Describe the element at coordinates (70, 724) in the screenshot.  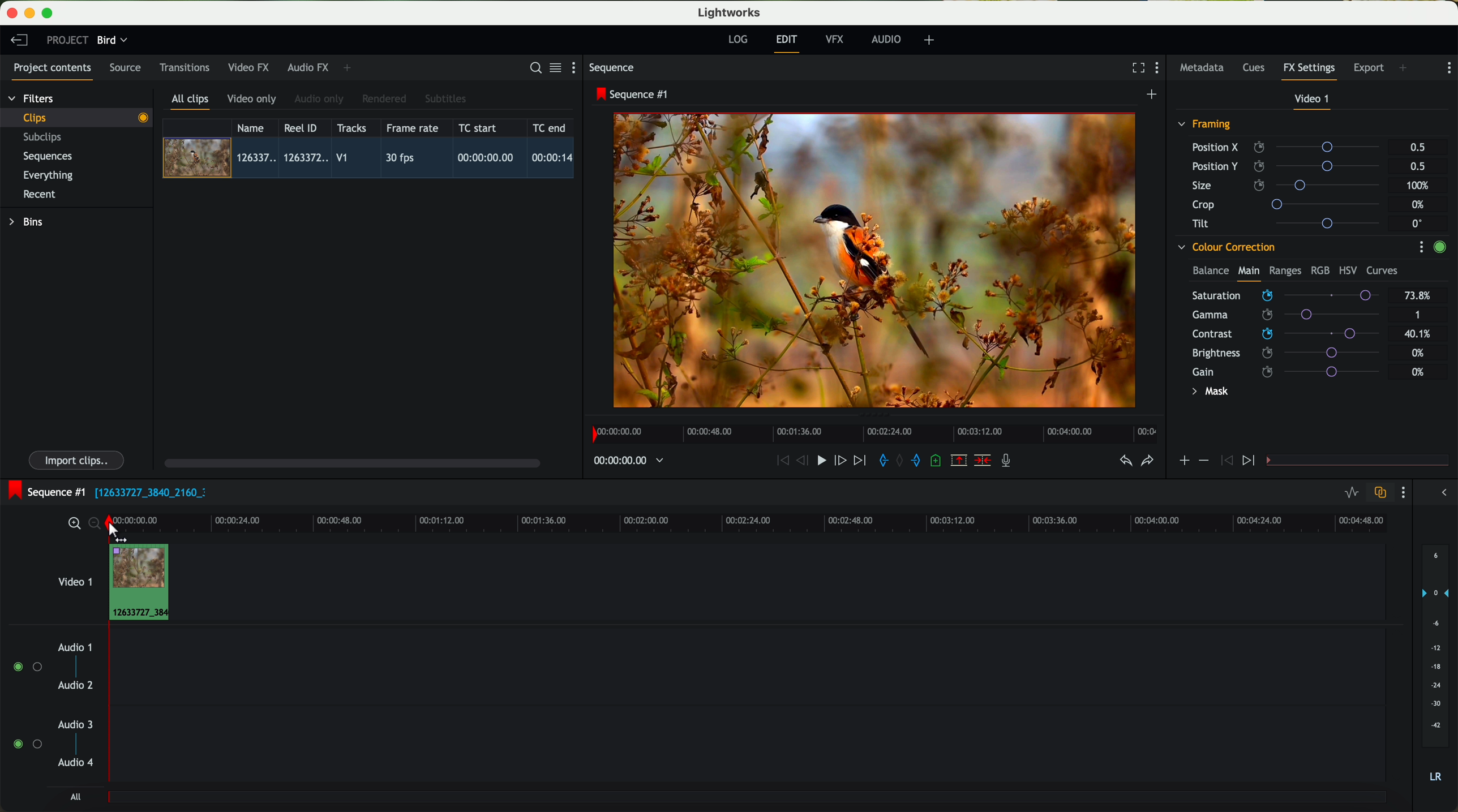
I see `audio 3` at that location.